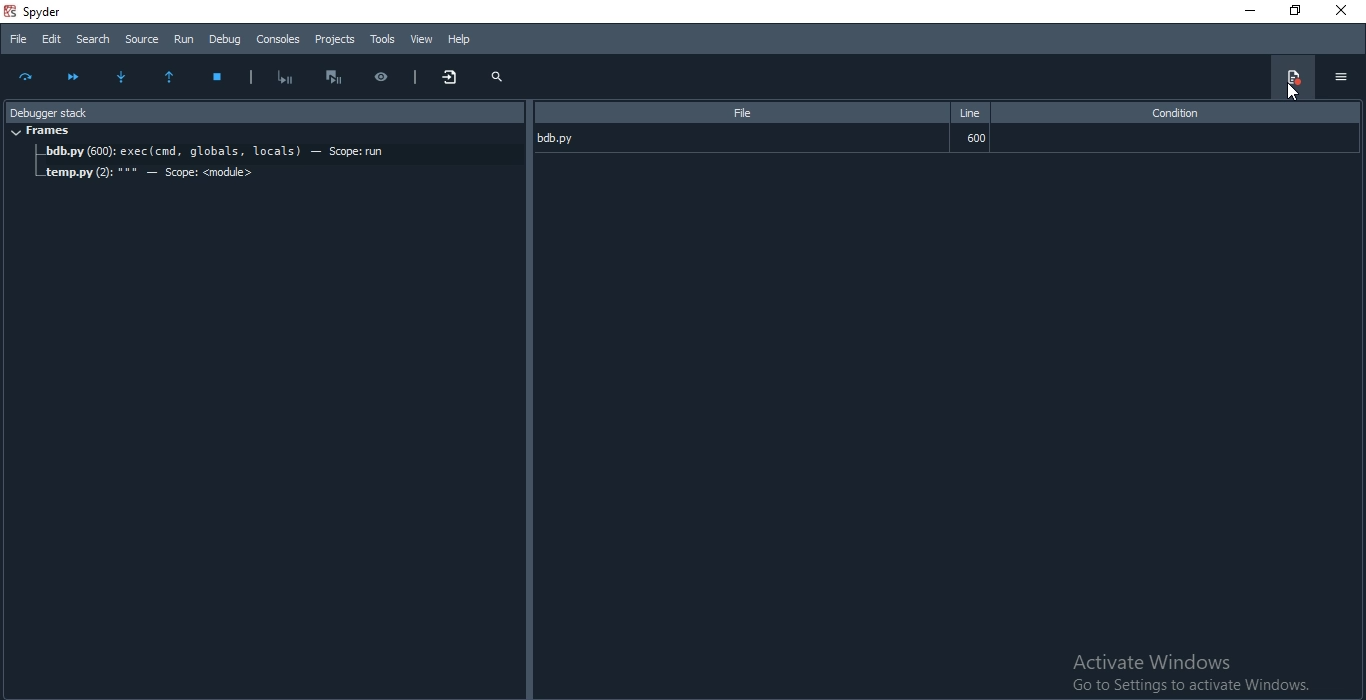  Describe the element at coordinates (1173, 113) in the screenshot. I see `Condition` at that location.